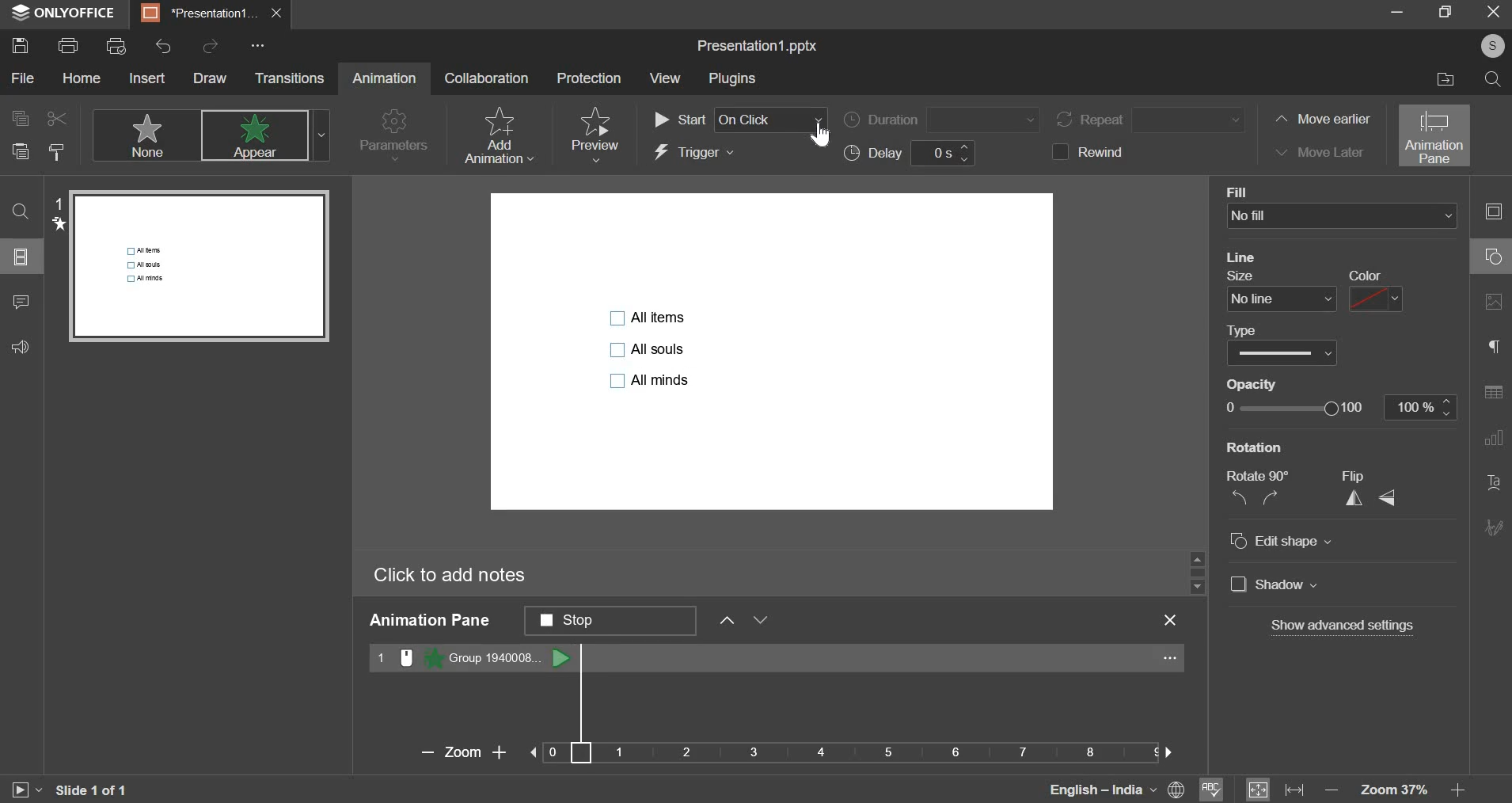 This screenshot has height=803, width=1512. I want to click on animation 1, so click(473, 657).